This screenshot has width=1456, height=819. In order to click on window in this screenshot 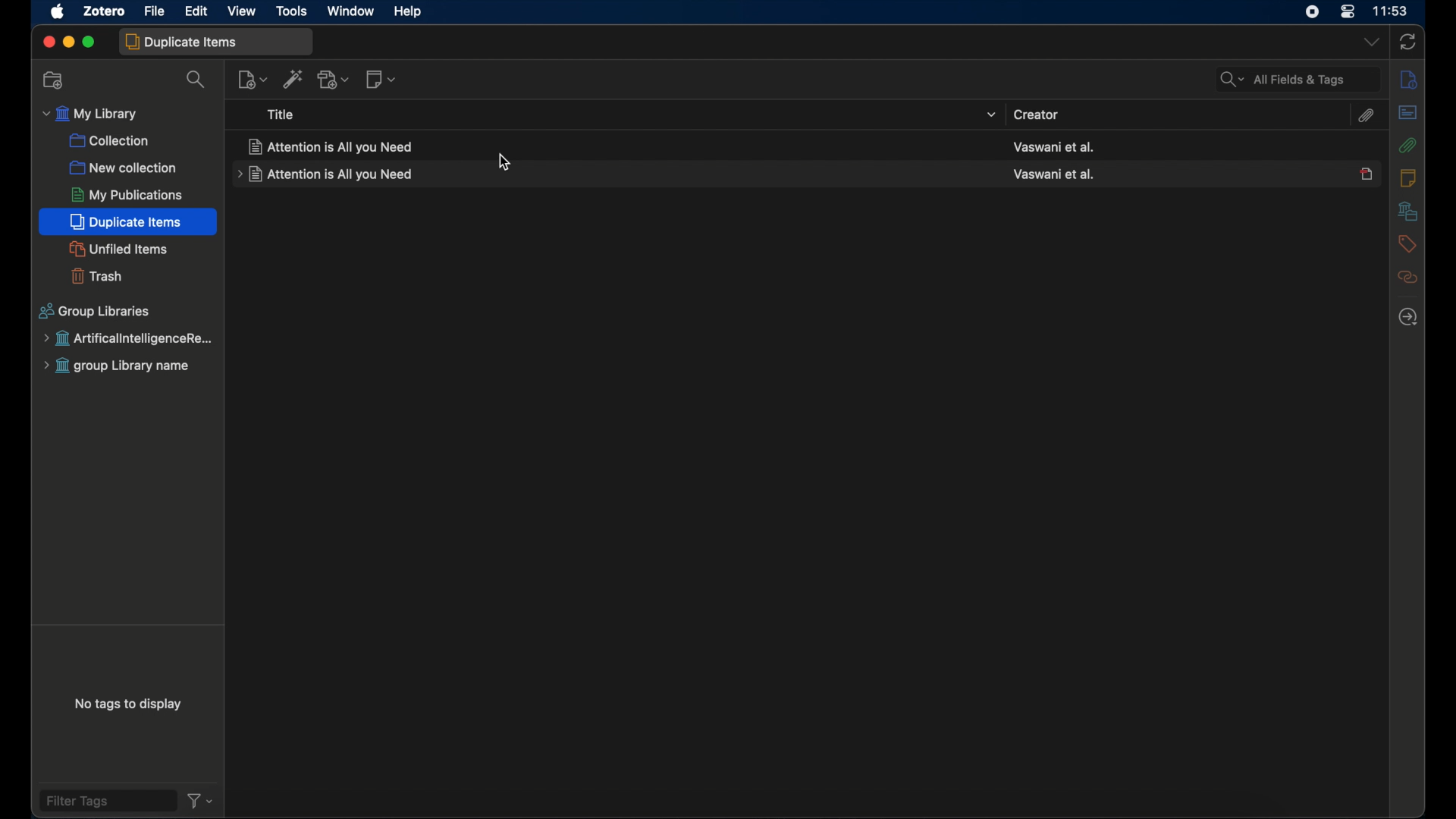, I will do `click(351, 11)`.